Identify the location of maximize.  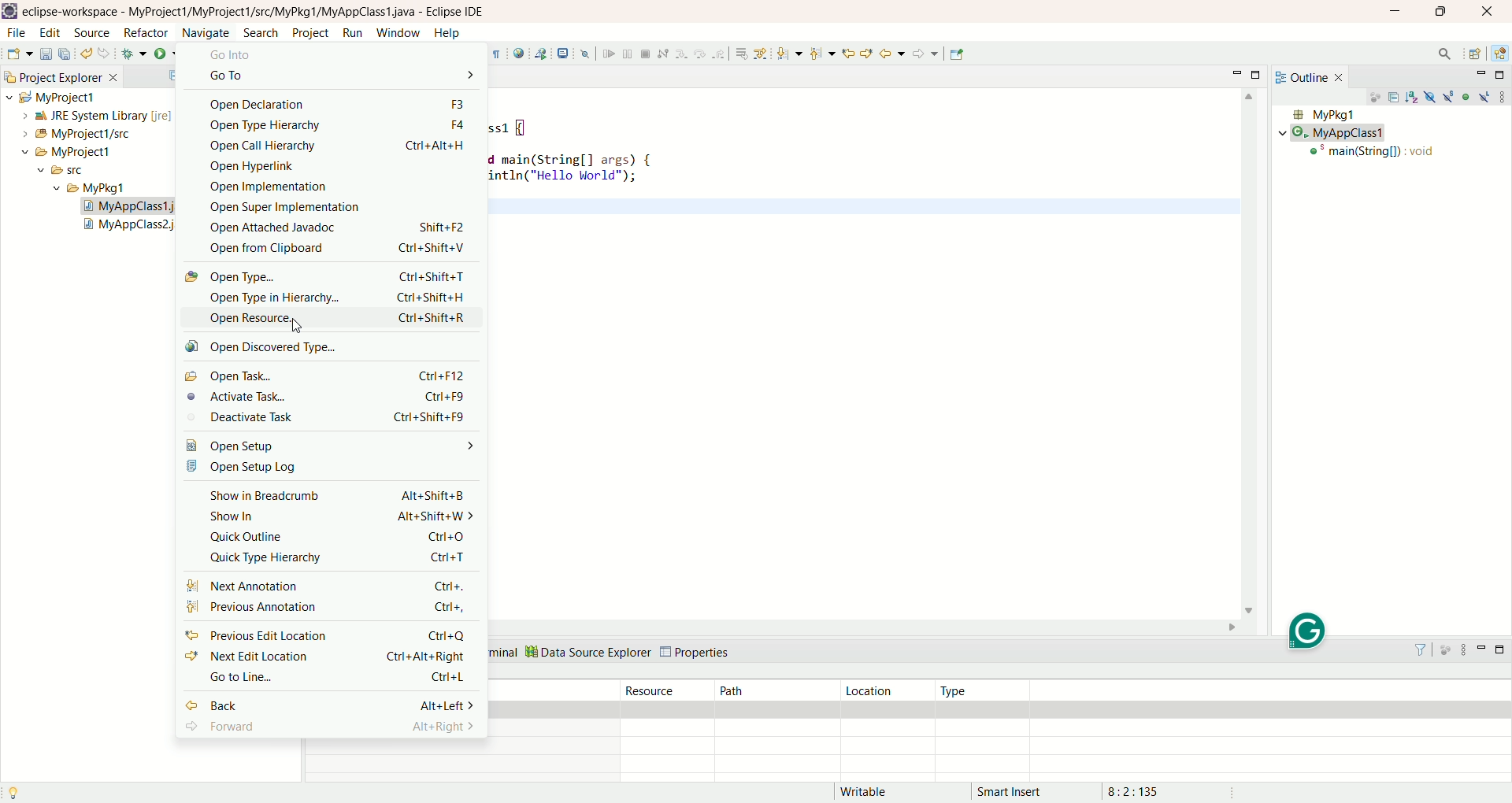
(1439, 13).